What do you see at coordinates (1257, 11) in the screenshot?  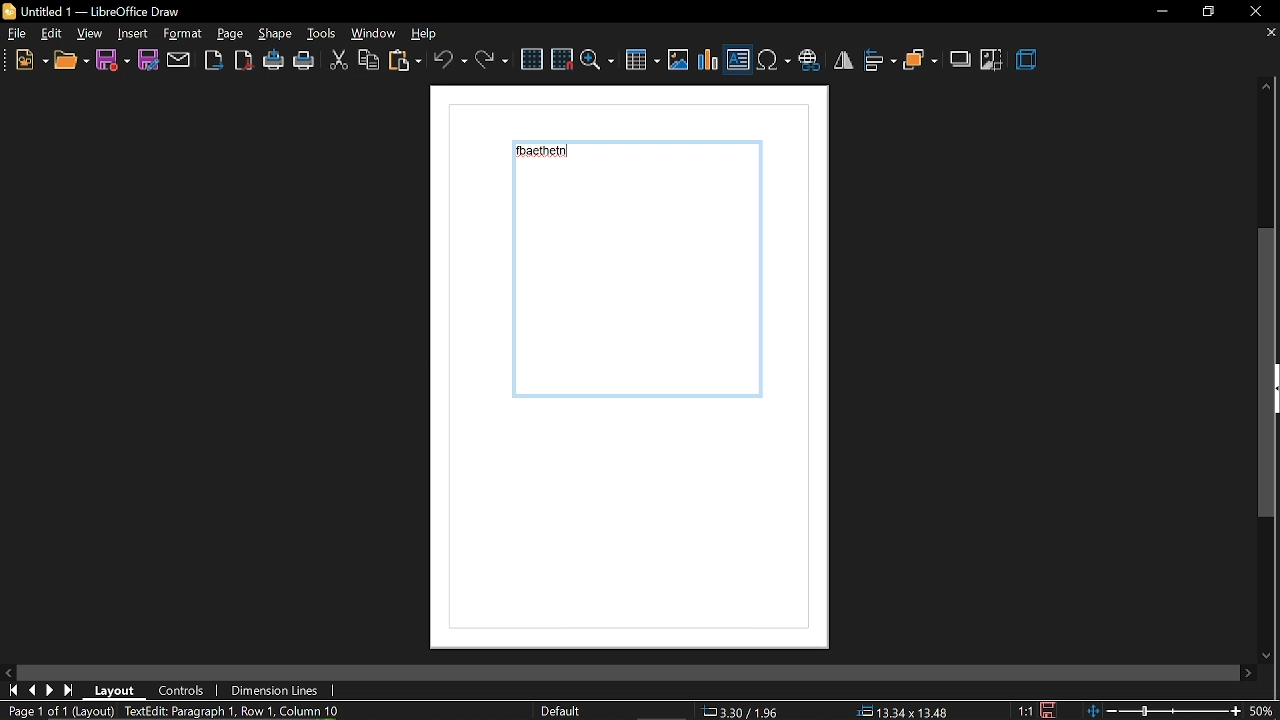 I see `close` at bounding box center [1257, 11].